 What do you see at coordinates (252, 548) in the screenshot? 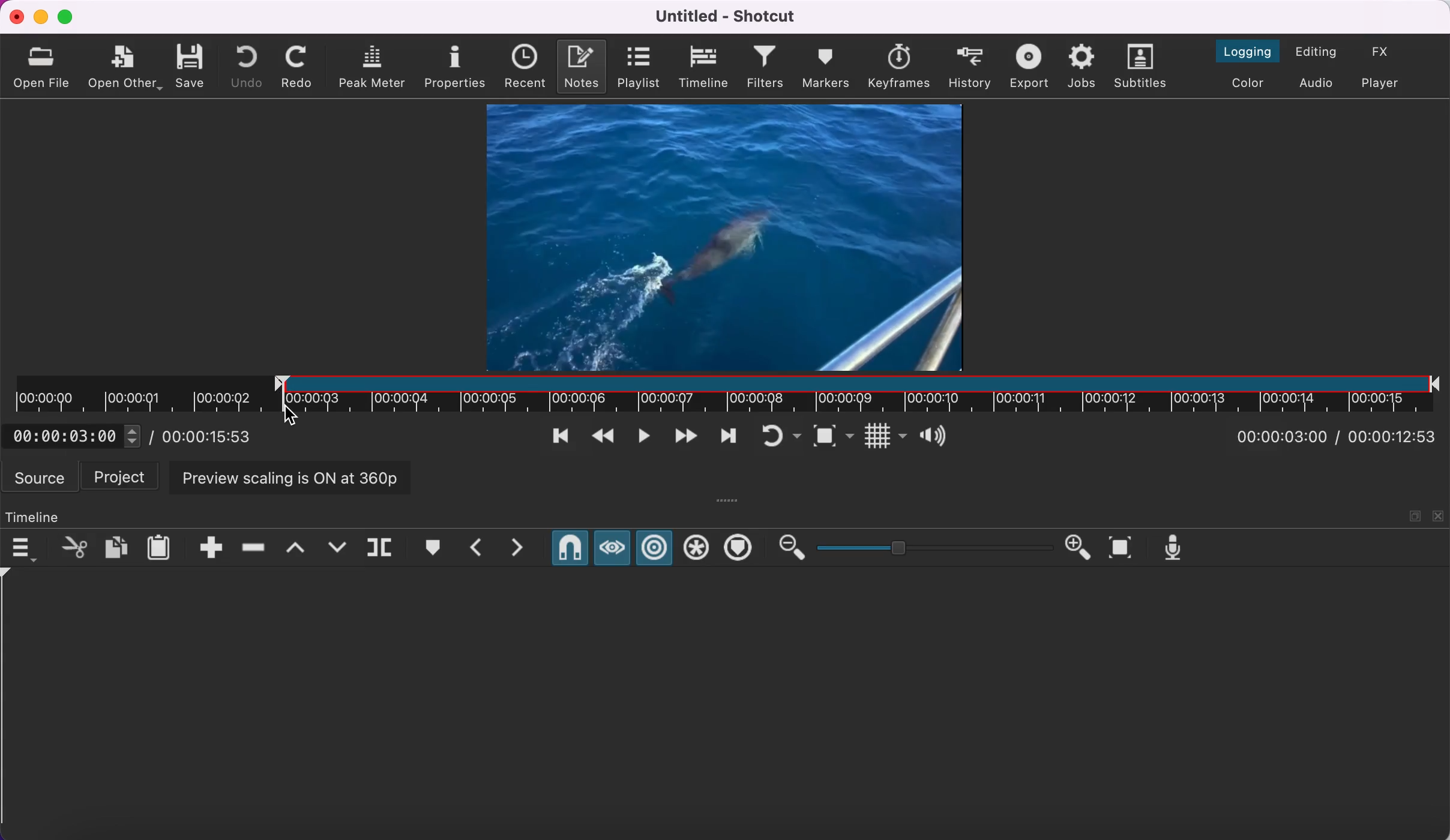
I see `ripple delete` at bounding box center [252, 548].